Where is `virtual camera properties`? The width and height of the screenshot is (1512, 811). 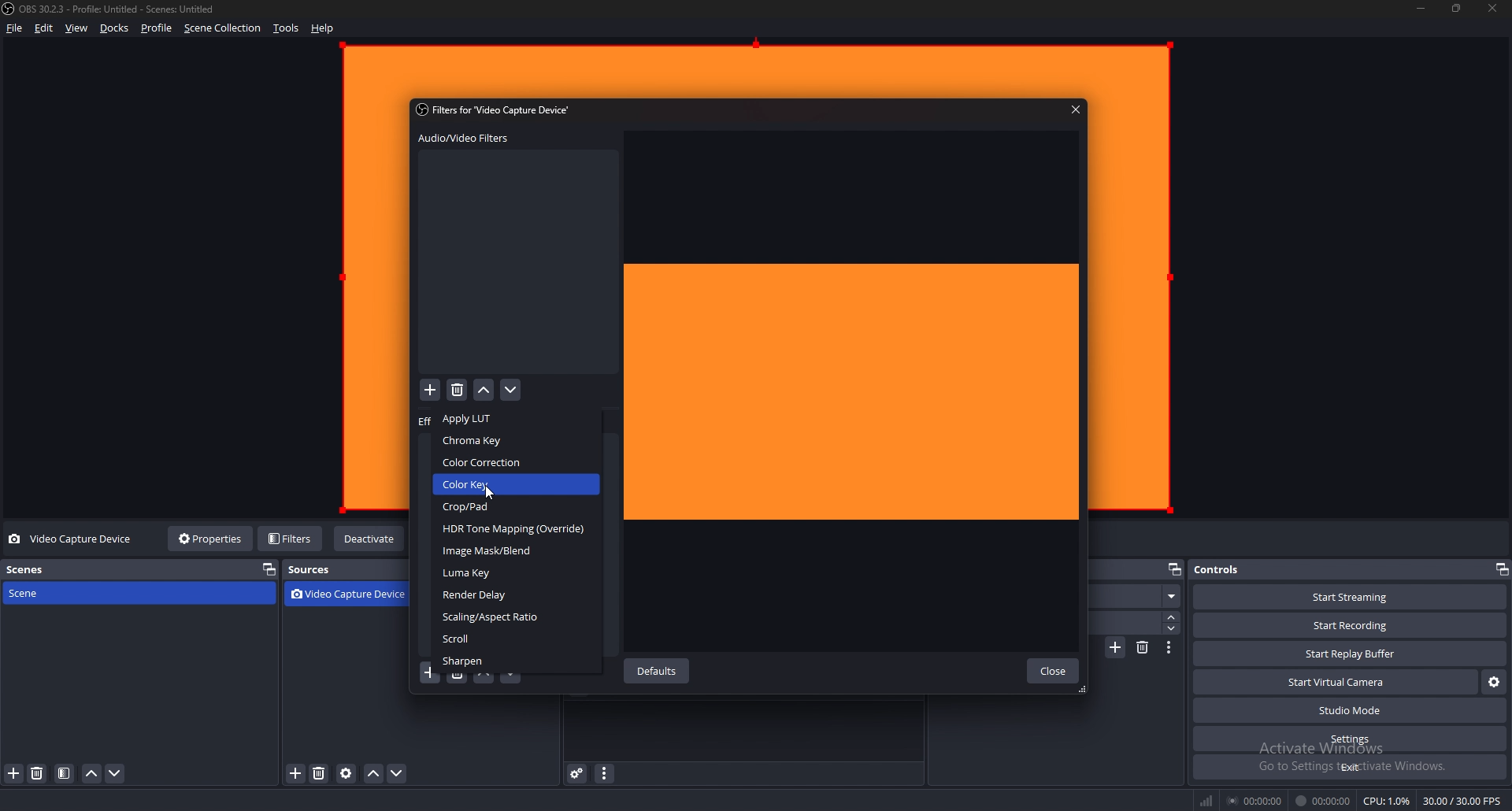 virtual camera properties is located at coordinates (1494, 683).